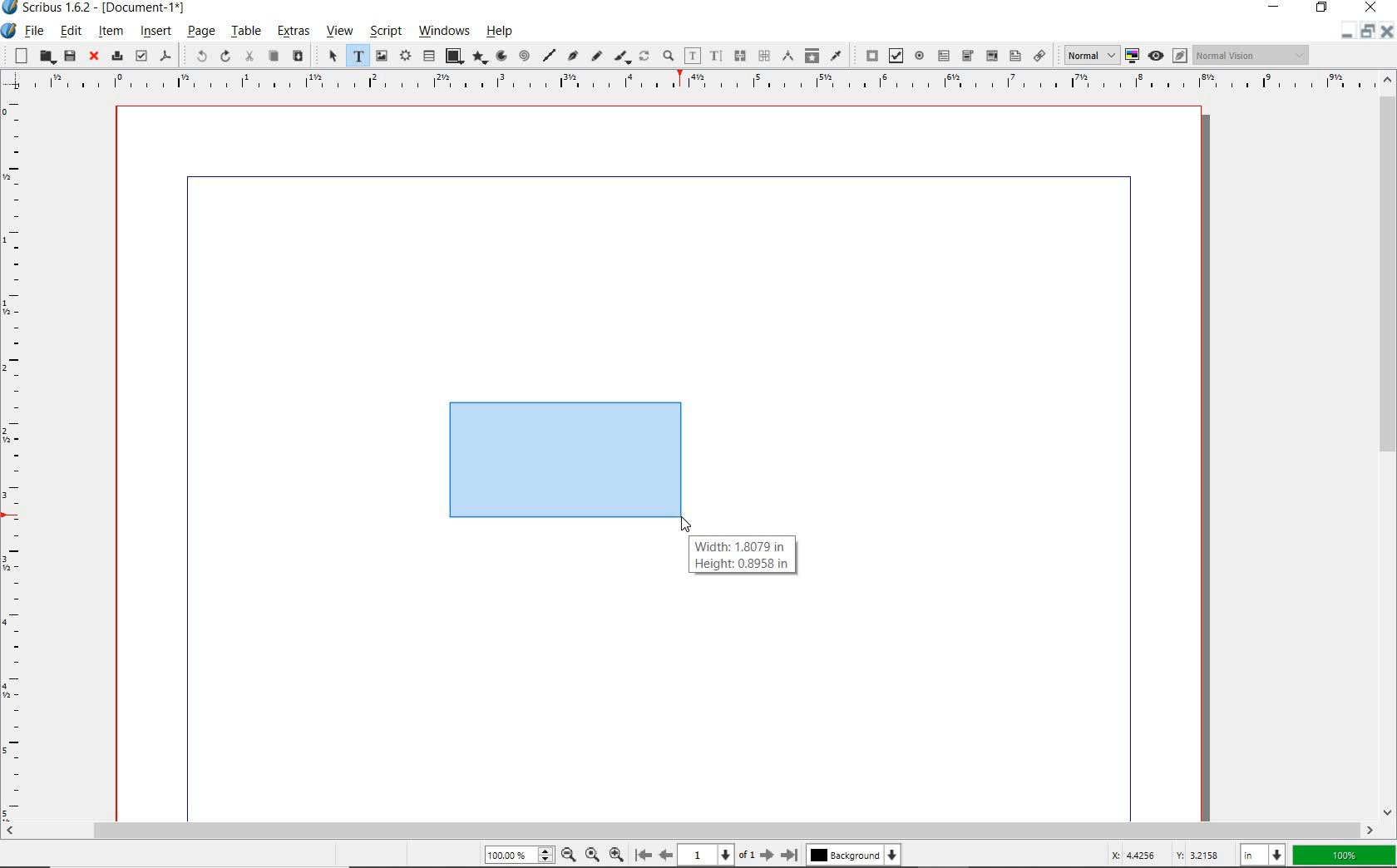 The height and width of the screenshot is (868, 1397). I want to click on calligraphic line, so click(623, 57).